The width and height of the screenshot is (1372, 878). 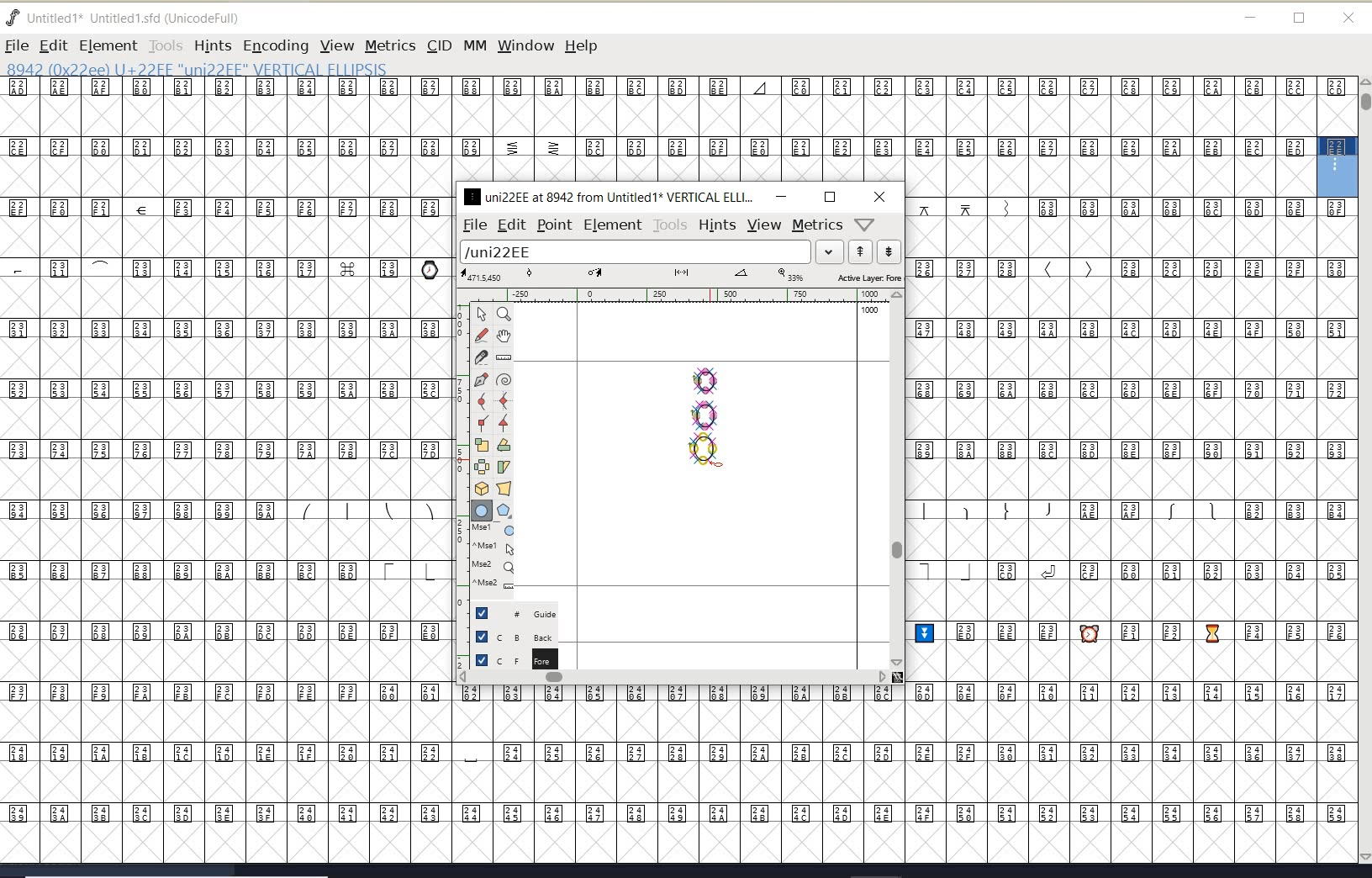 What do you see at coordinates (504, 314) in the screenshot?
I see `magnify` at bounding box center [504, 314].